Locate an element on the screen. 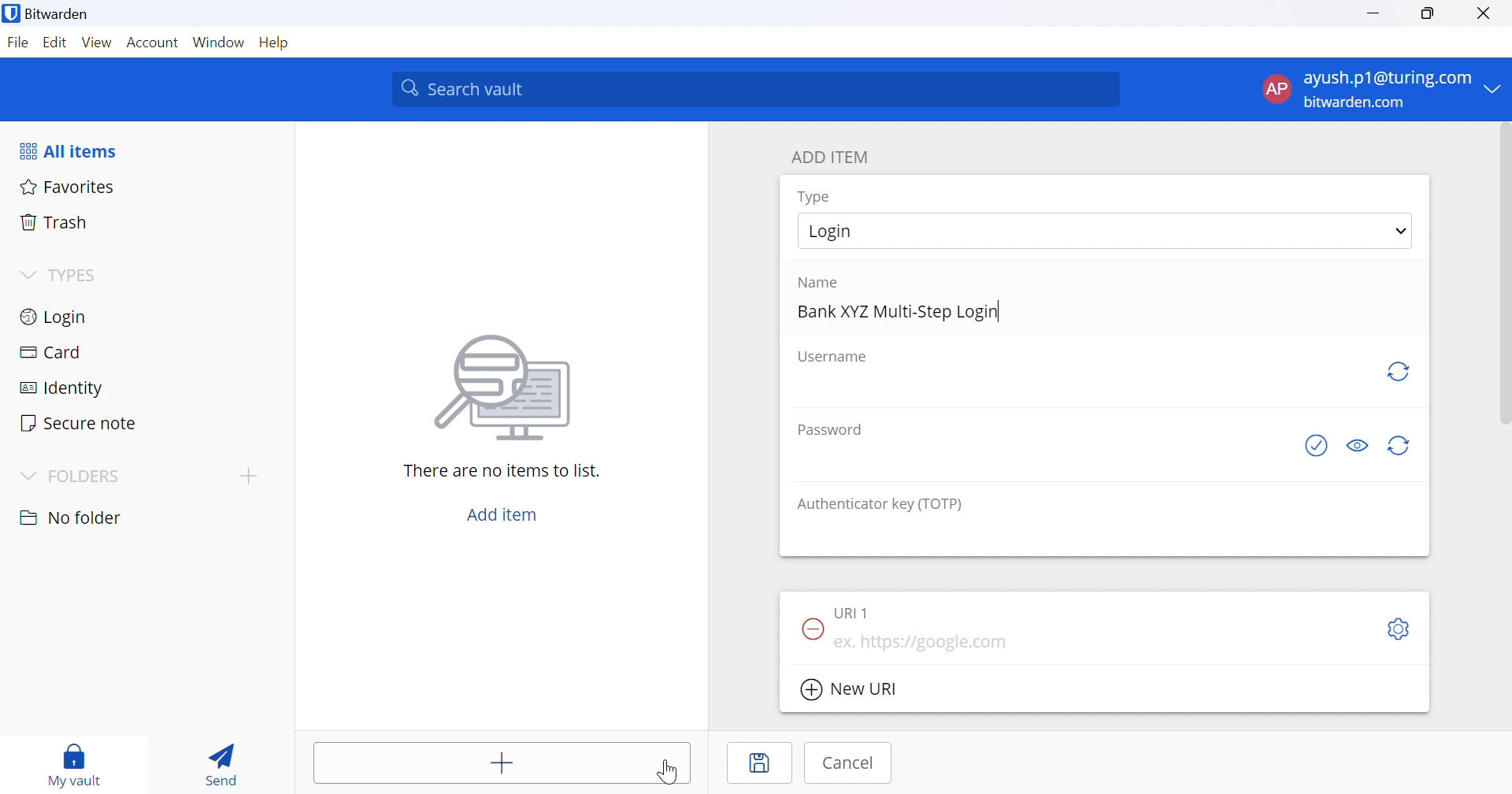 This screenshot has height=794, width=1512. Bank XYZ Multi-Step Login is located at coordinates (900, 313).